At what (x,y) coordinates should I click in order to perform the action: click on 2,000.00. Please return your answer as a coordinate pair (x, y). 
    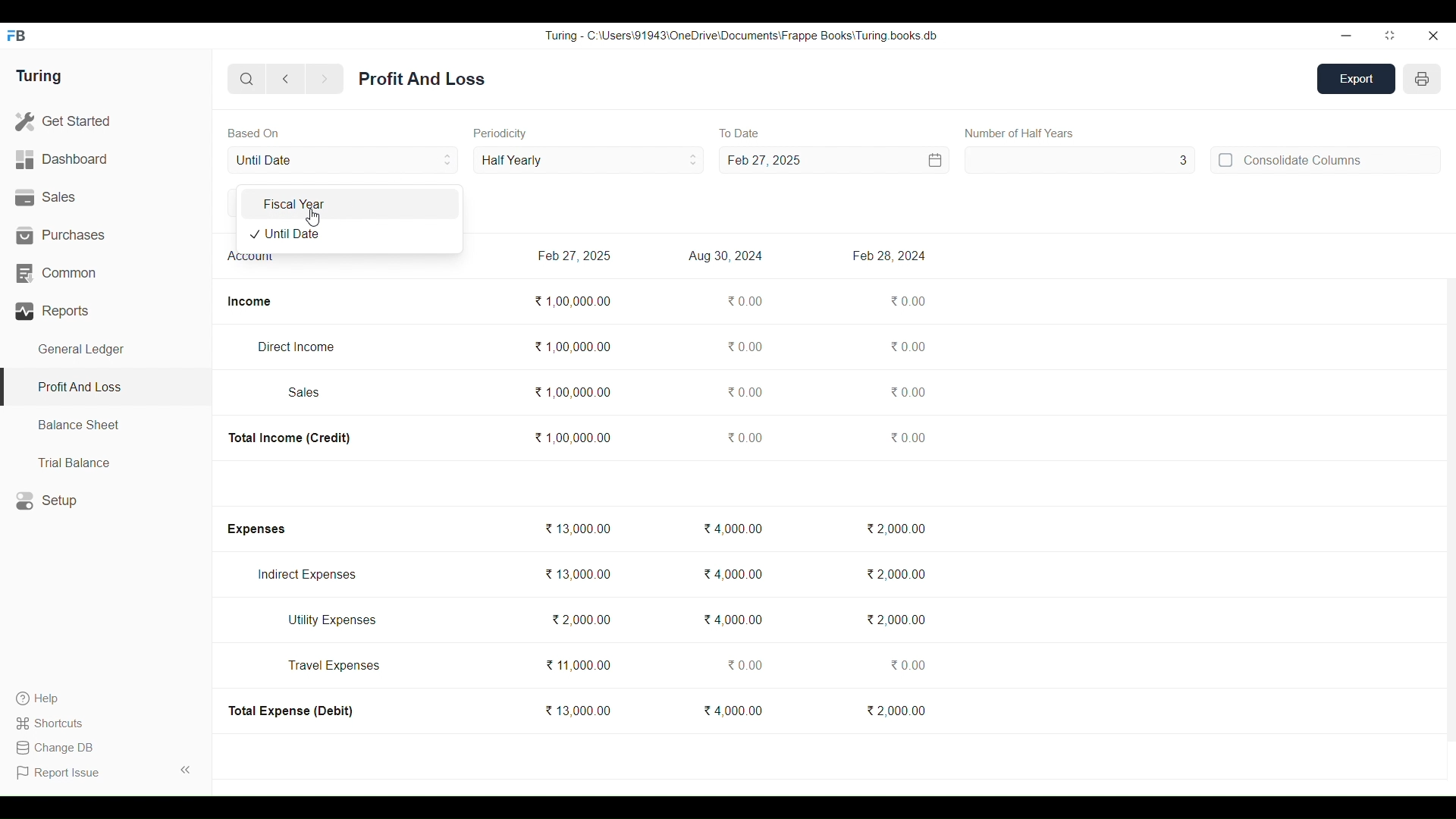
    Looking at the image, I should click on (896, 620).